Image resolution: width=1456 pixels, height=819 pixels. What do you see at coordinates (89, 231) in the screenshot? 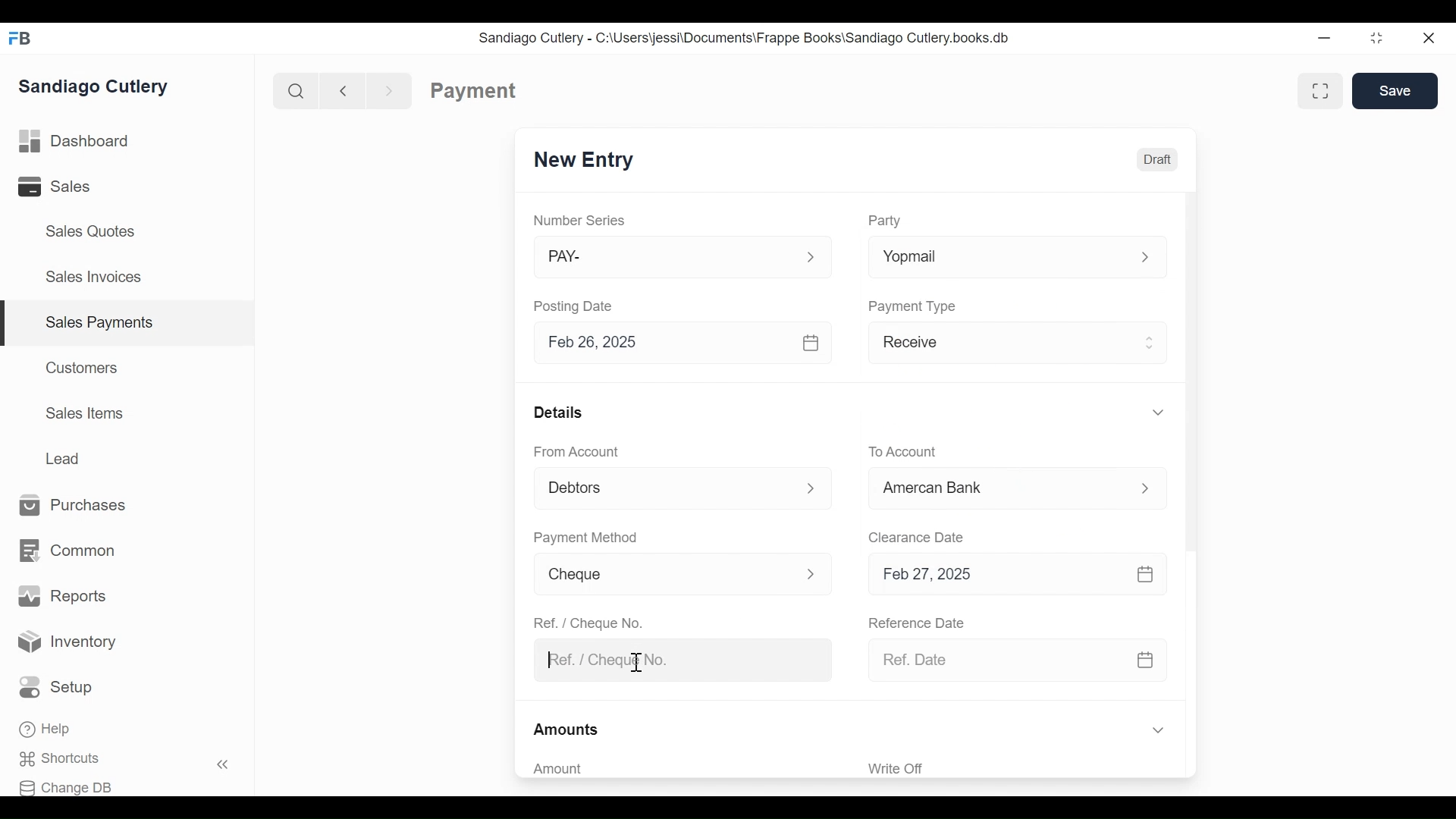
I see `Sales Quotes` at bounding box center [89, 231].